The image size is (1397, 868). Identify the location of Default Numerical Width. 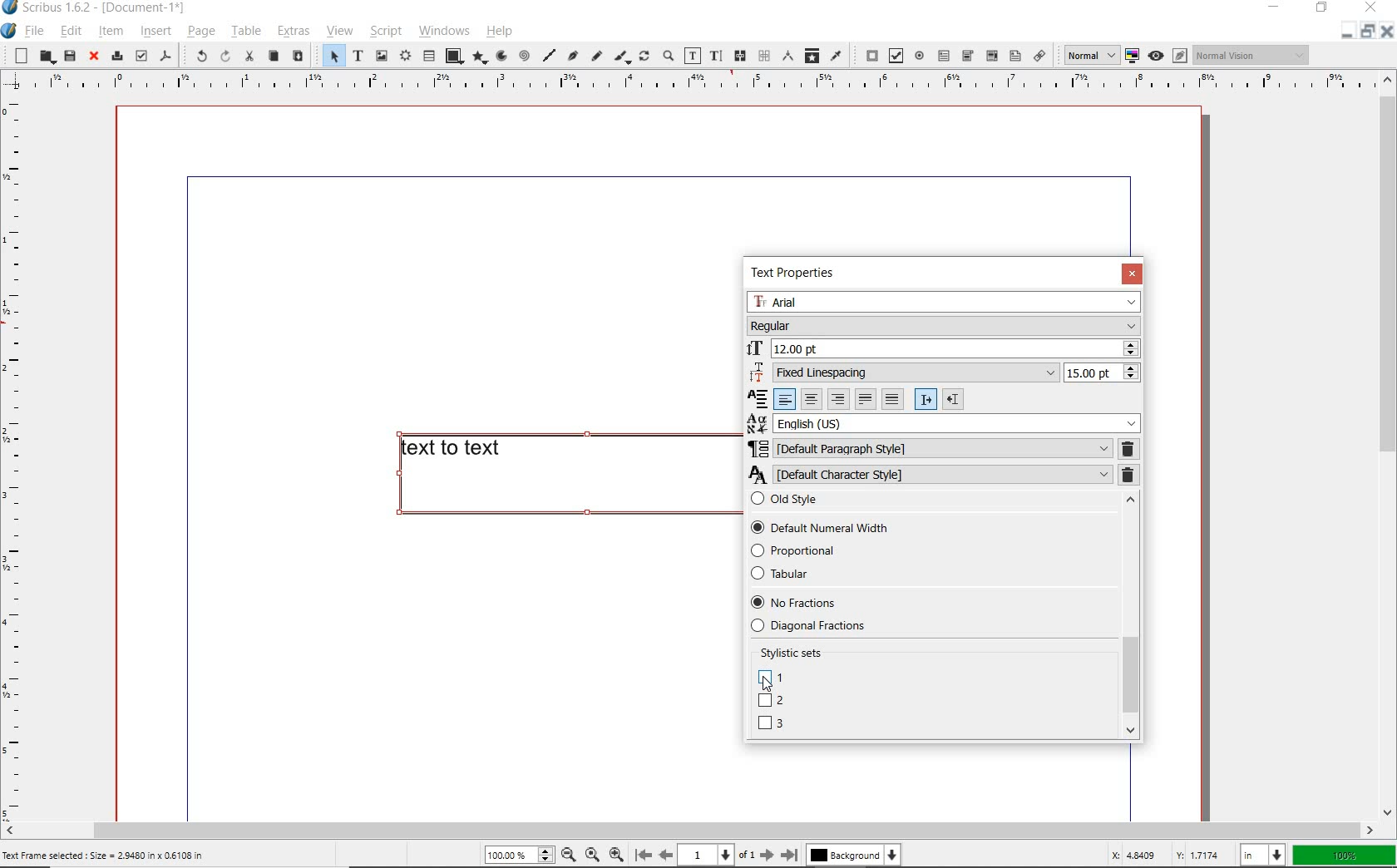
(816, 528).